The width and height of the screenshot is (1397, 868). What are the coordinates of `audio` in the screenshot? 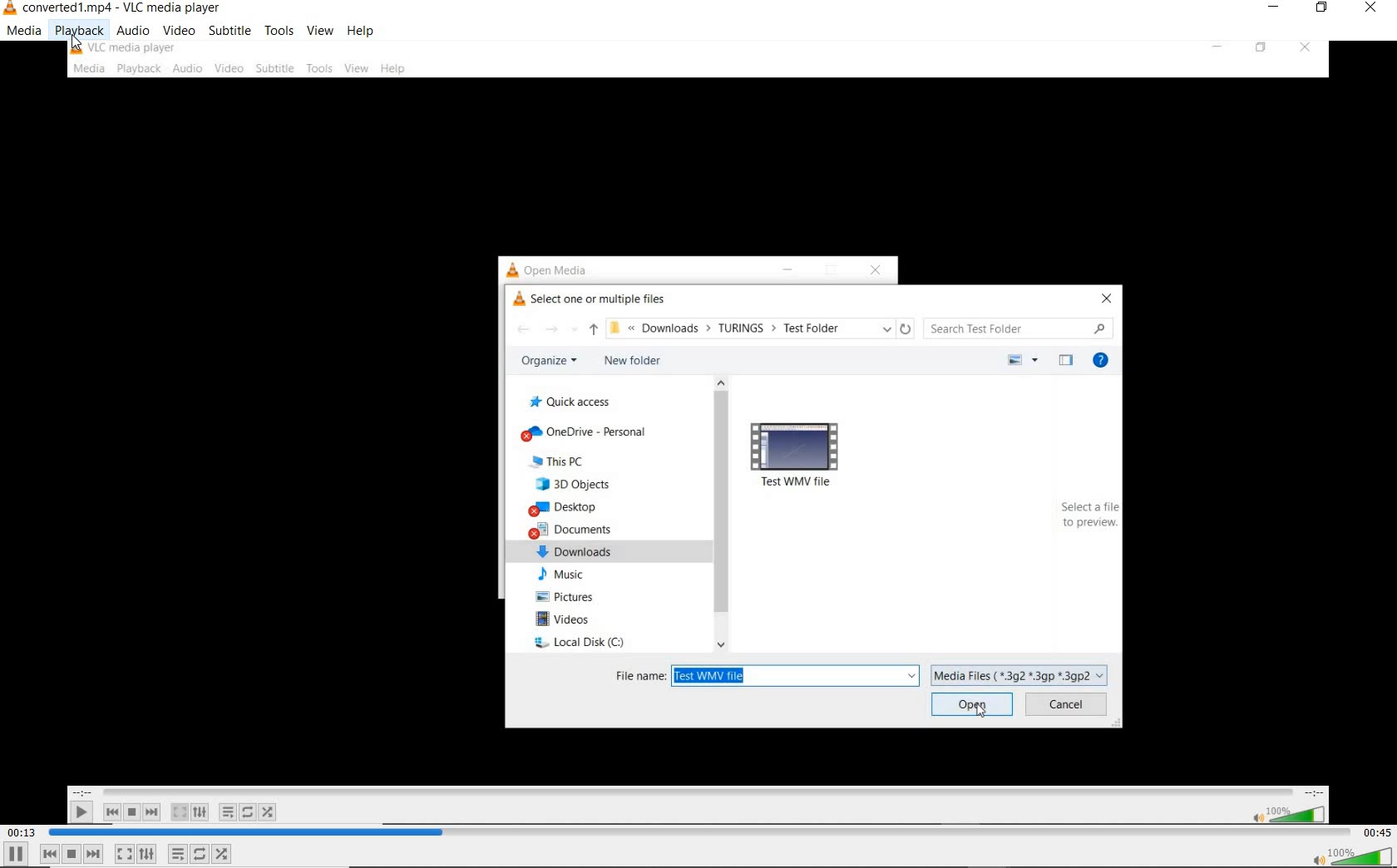 It's located at (133, 32).